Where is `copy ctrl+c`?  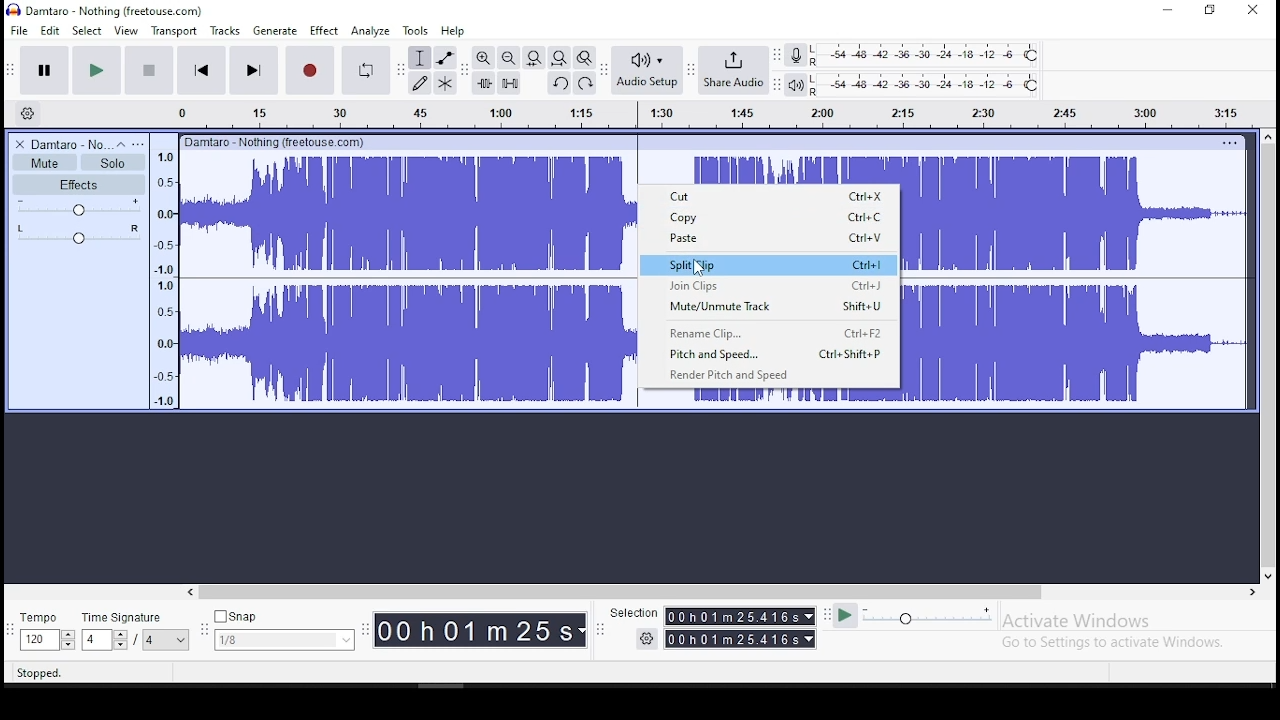 copy ctrl+c is located at coordinates (773, 215).